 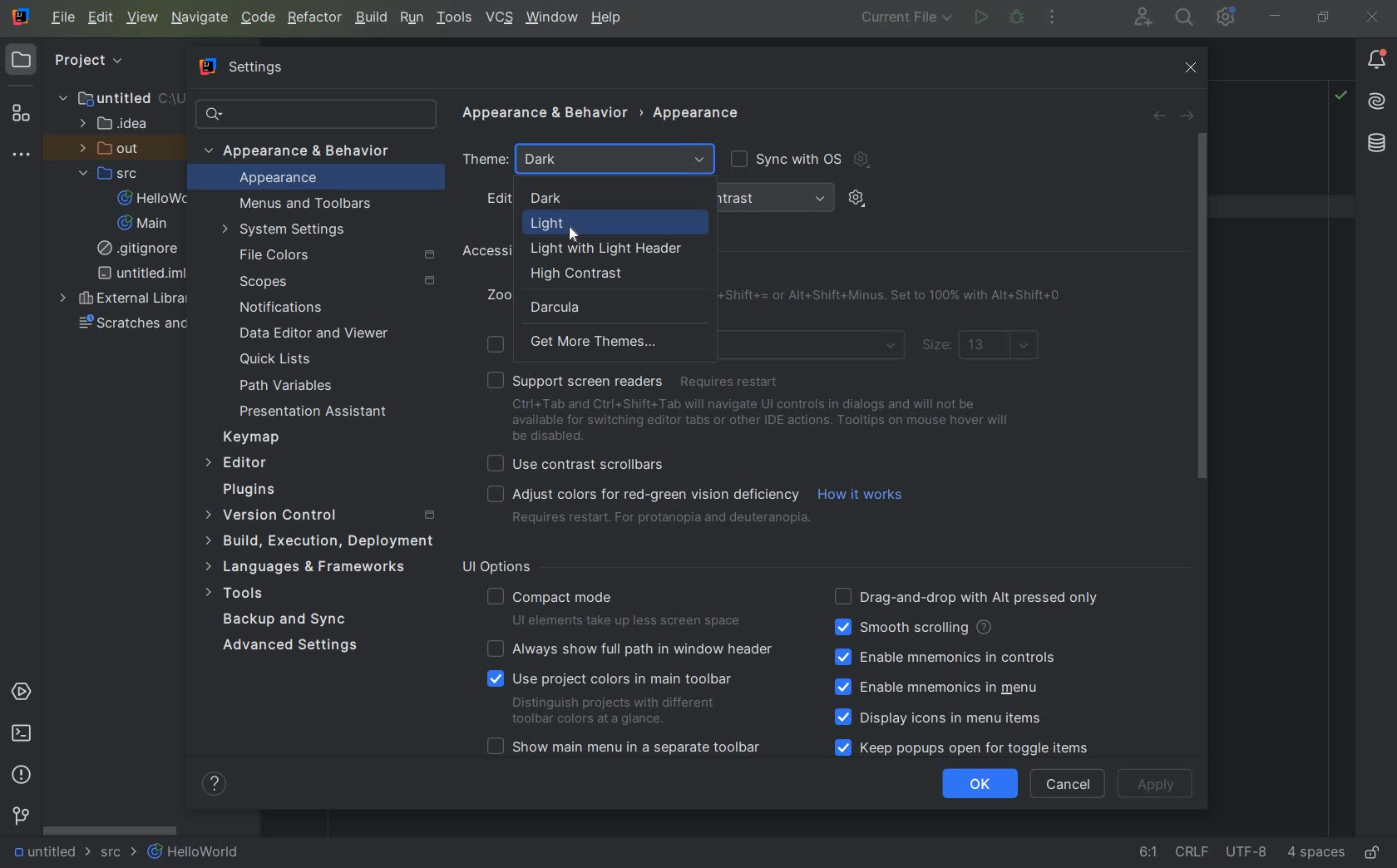 I want to click on Project(MAIN MENU), so click(x=116, y=67).